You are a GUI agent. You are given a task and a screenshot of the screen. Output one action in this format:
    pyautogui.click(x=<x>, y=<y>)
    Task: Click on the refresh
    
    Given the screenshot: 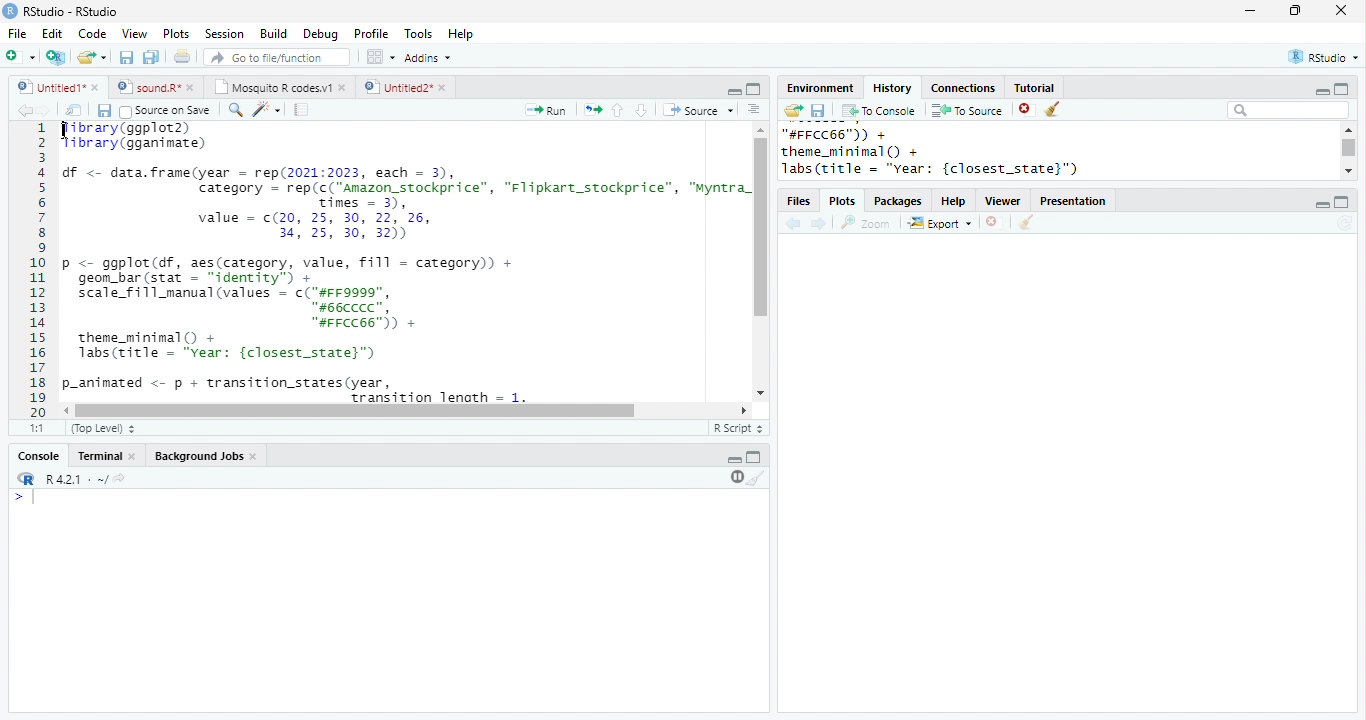 What is the action you would take?
    pyautogui.click(x=1345, y=223)
    